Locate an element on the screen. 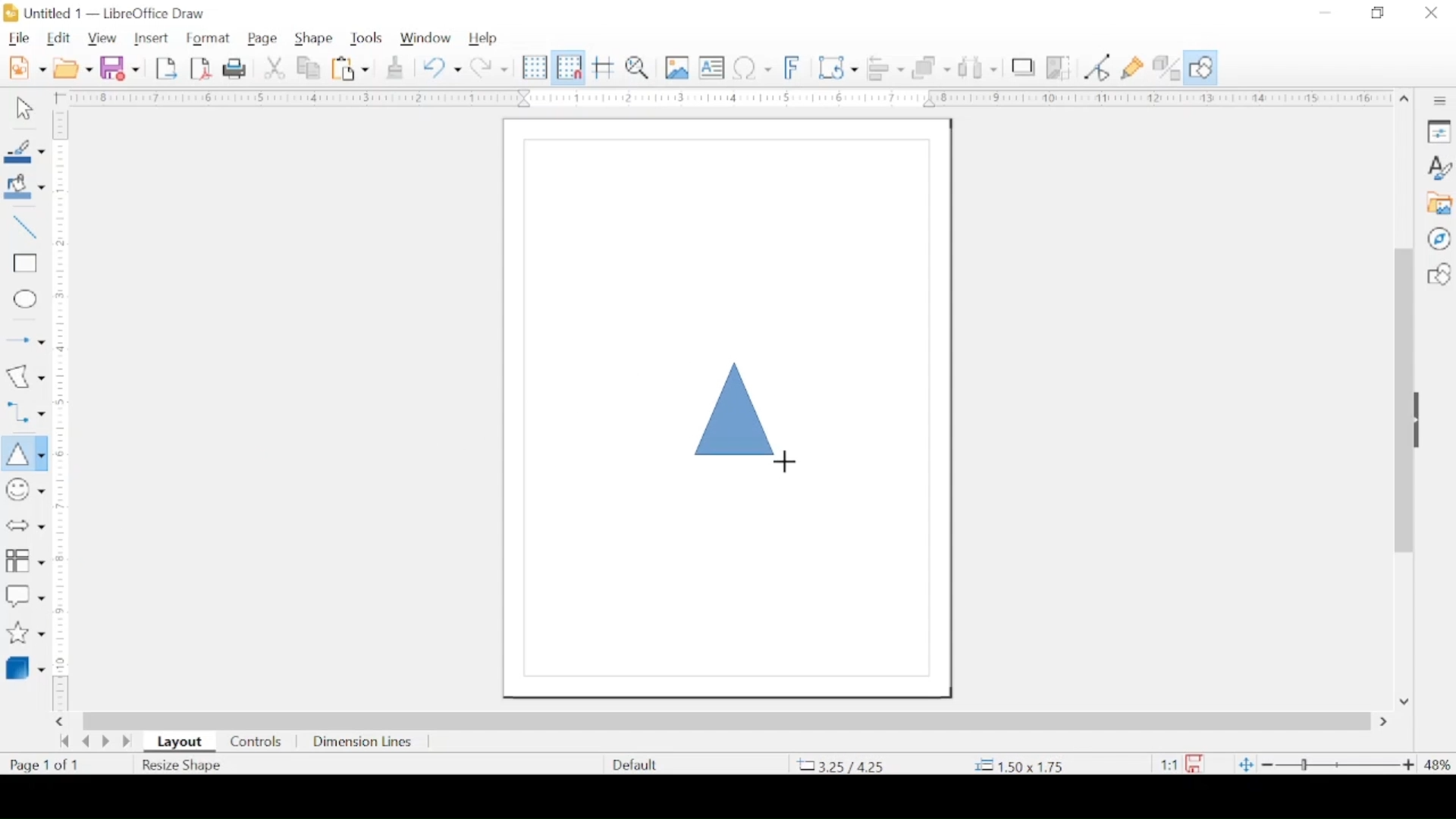 Image resolution: width=1456 pixels, height=819 pixels. flowchart is located at coordinates (25, 559).